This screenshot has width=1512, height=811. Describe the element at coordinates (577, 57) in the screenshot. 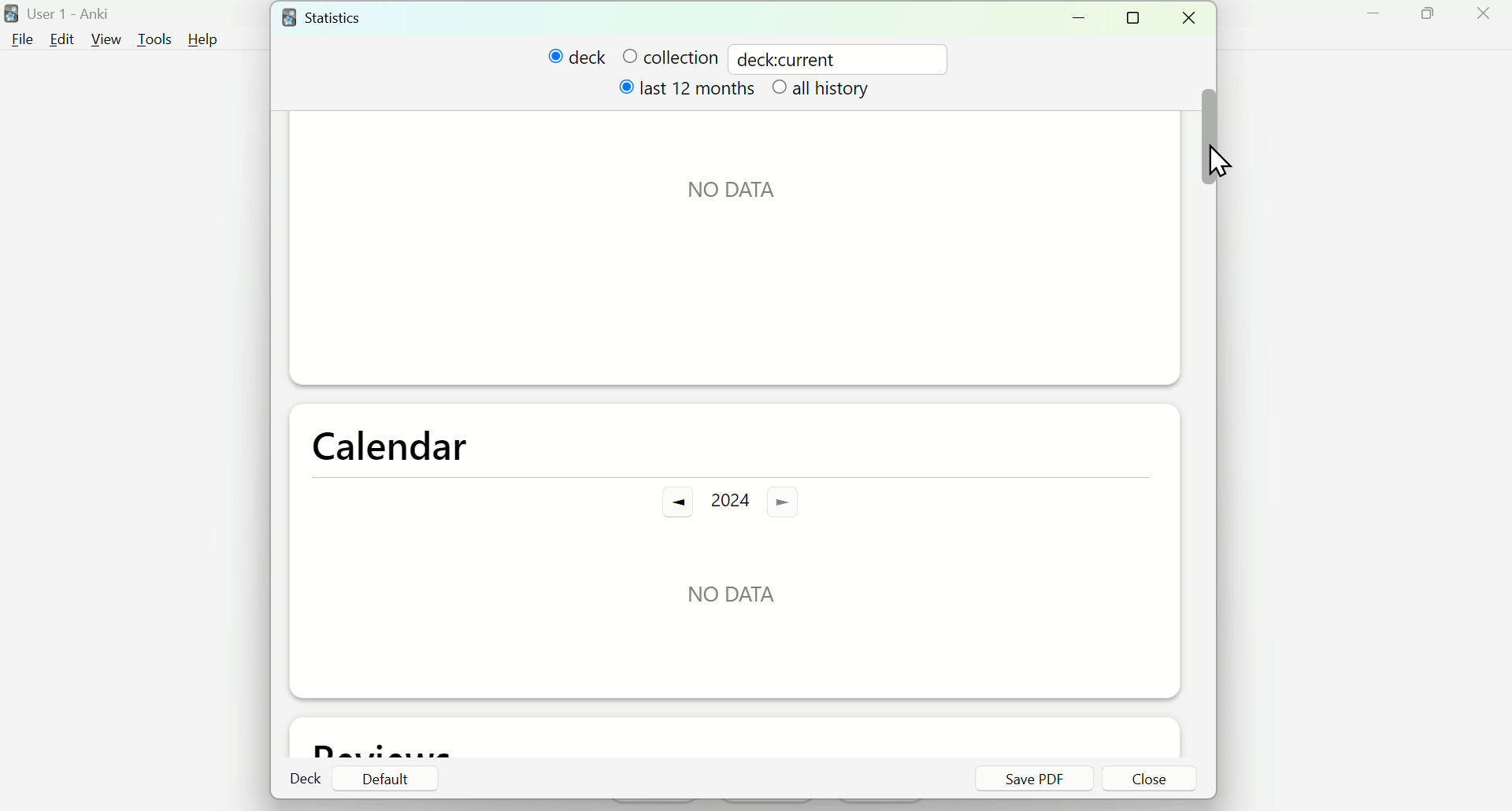

I see `deck` at that location.